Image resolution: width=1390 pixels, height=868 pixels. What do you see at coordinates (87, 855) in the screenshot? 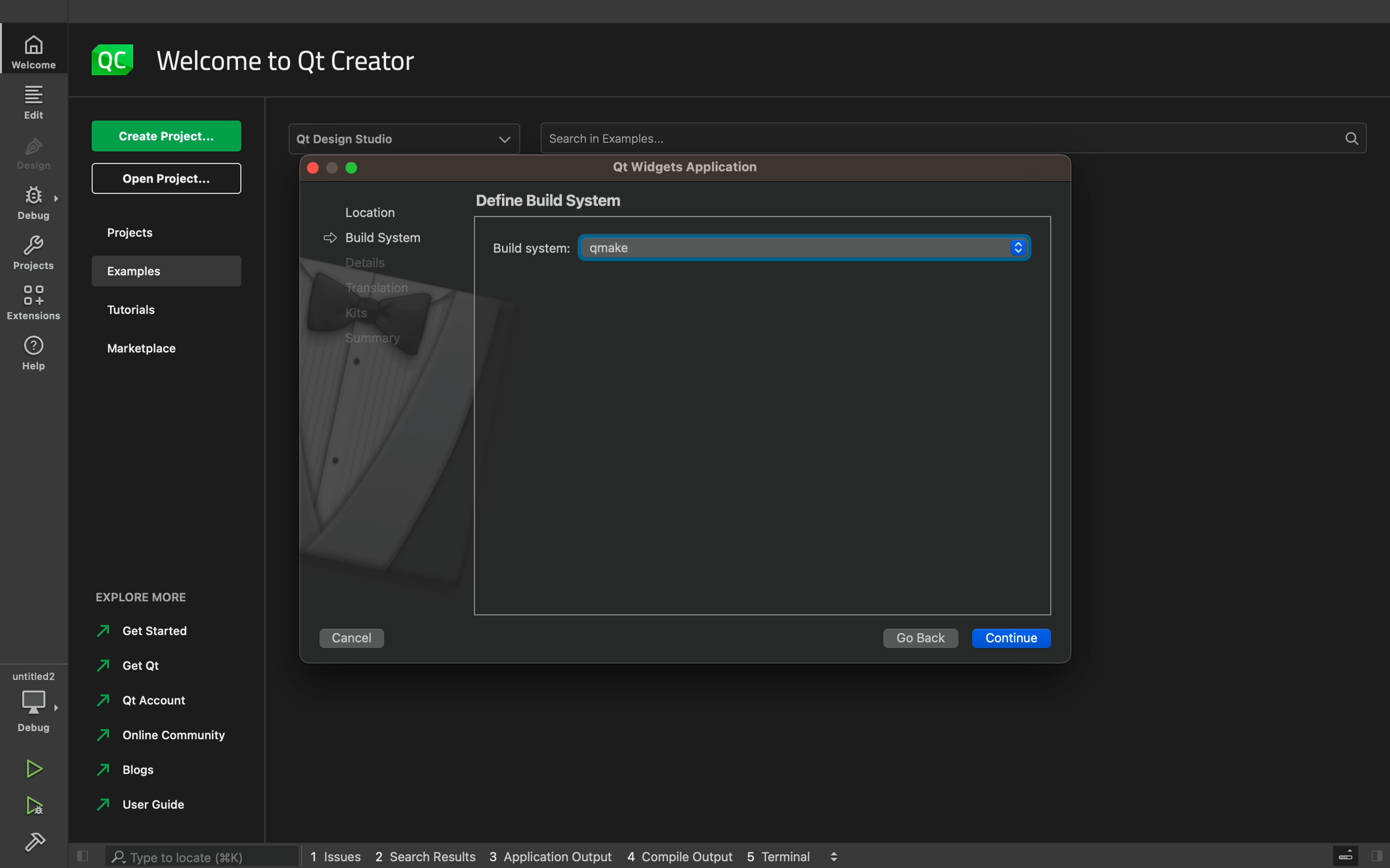
I see `` at bounding box center [87, 855].